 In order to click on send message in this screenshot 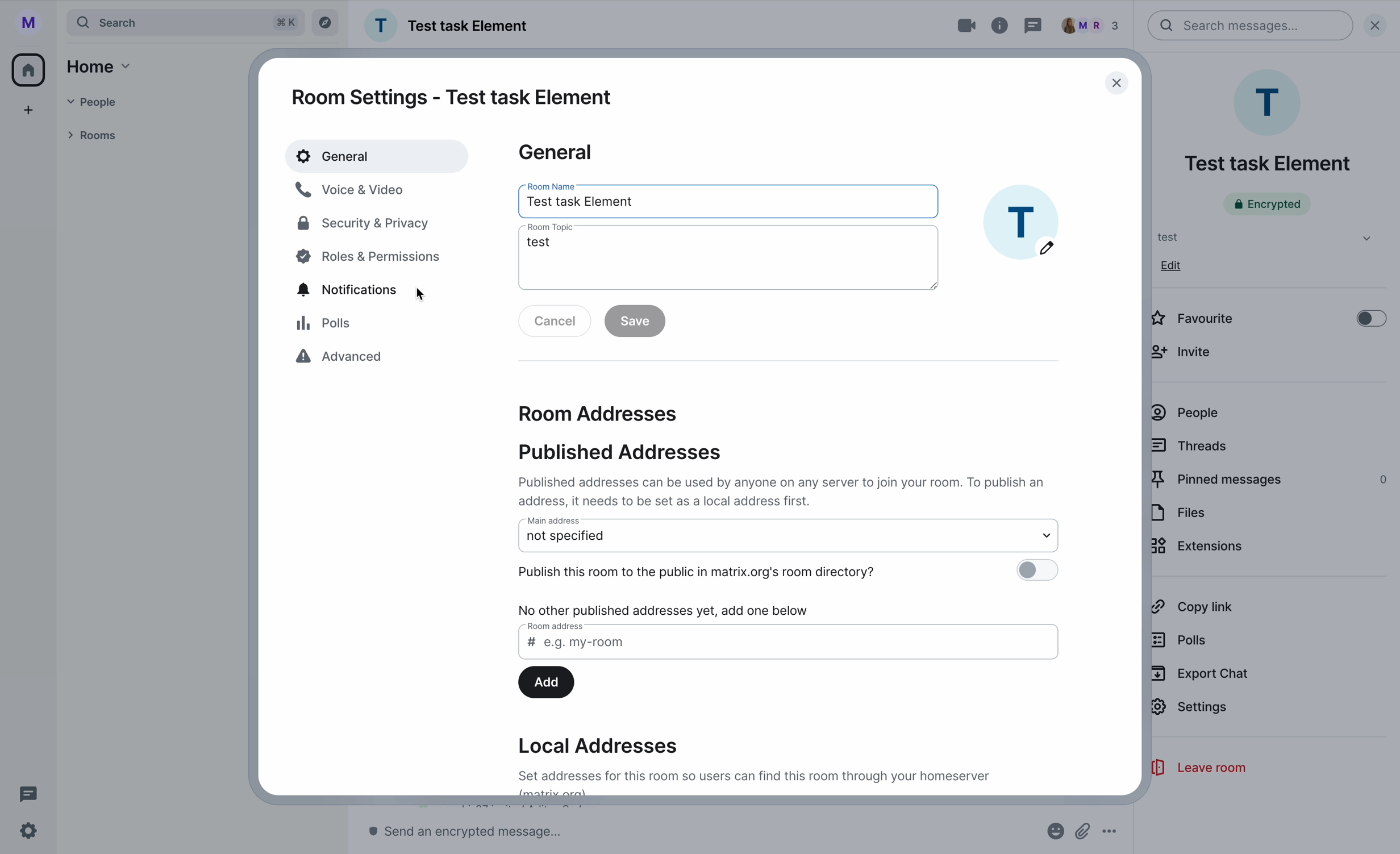, I will do `click(472, 832)`.